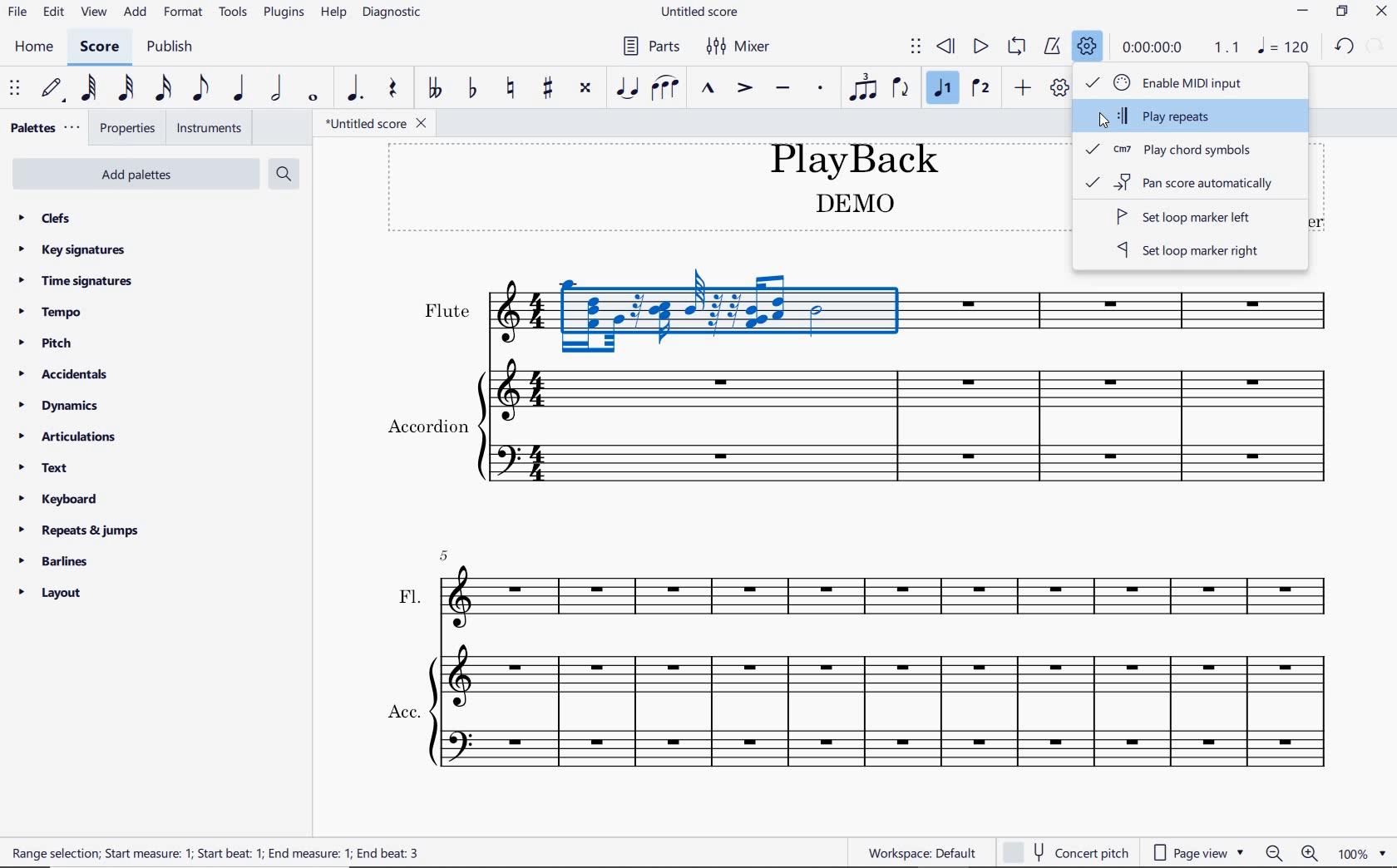  Describe the element at coordinates (100, 47) in the screenshot. I see `score` at that location.